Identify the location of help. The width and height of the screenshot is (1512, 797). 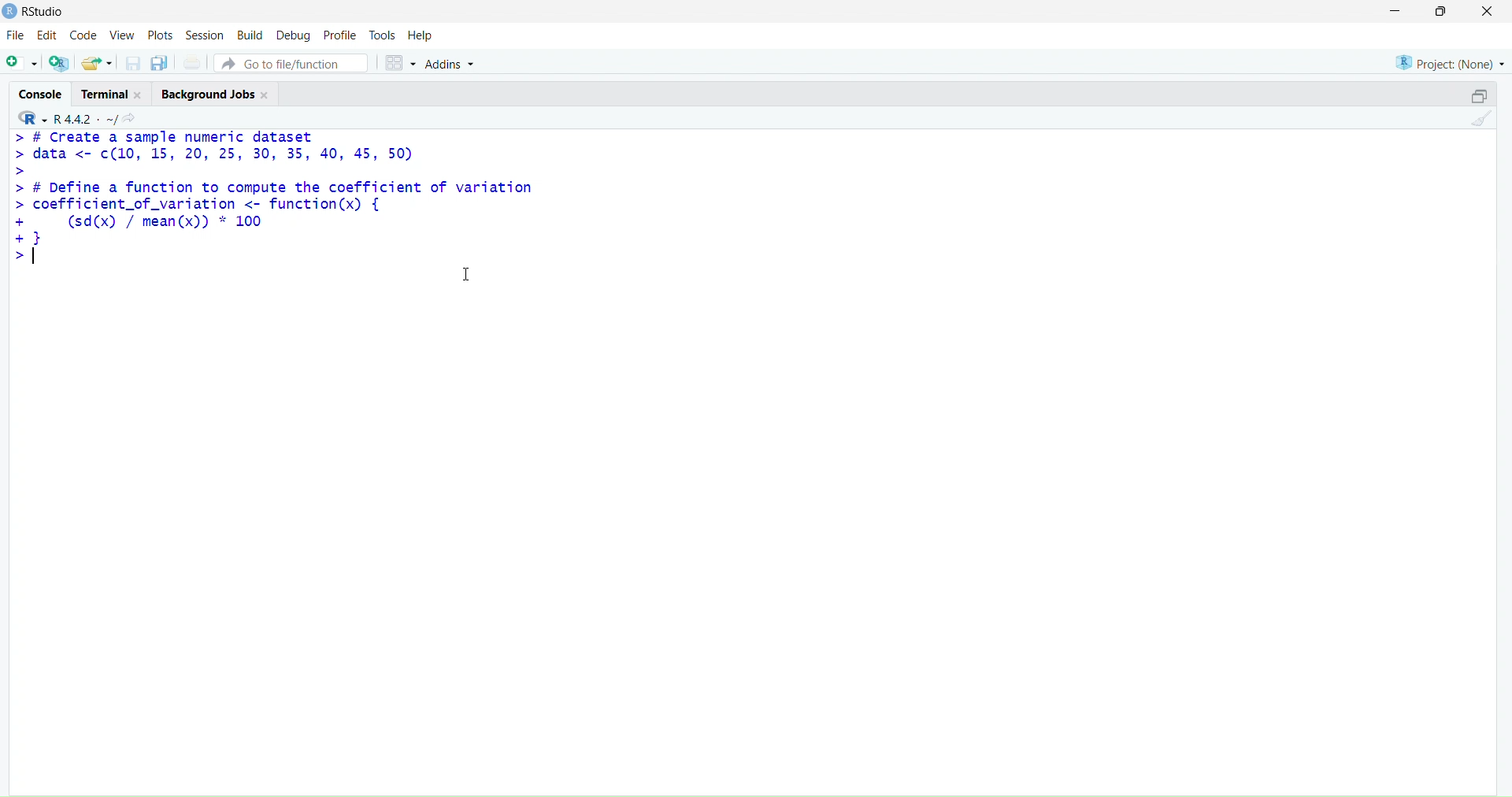
(421, 36).